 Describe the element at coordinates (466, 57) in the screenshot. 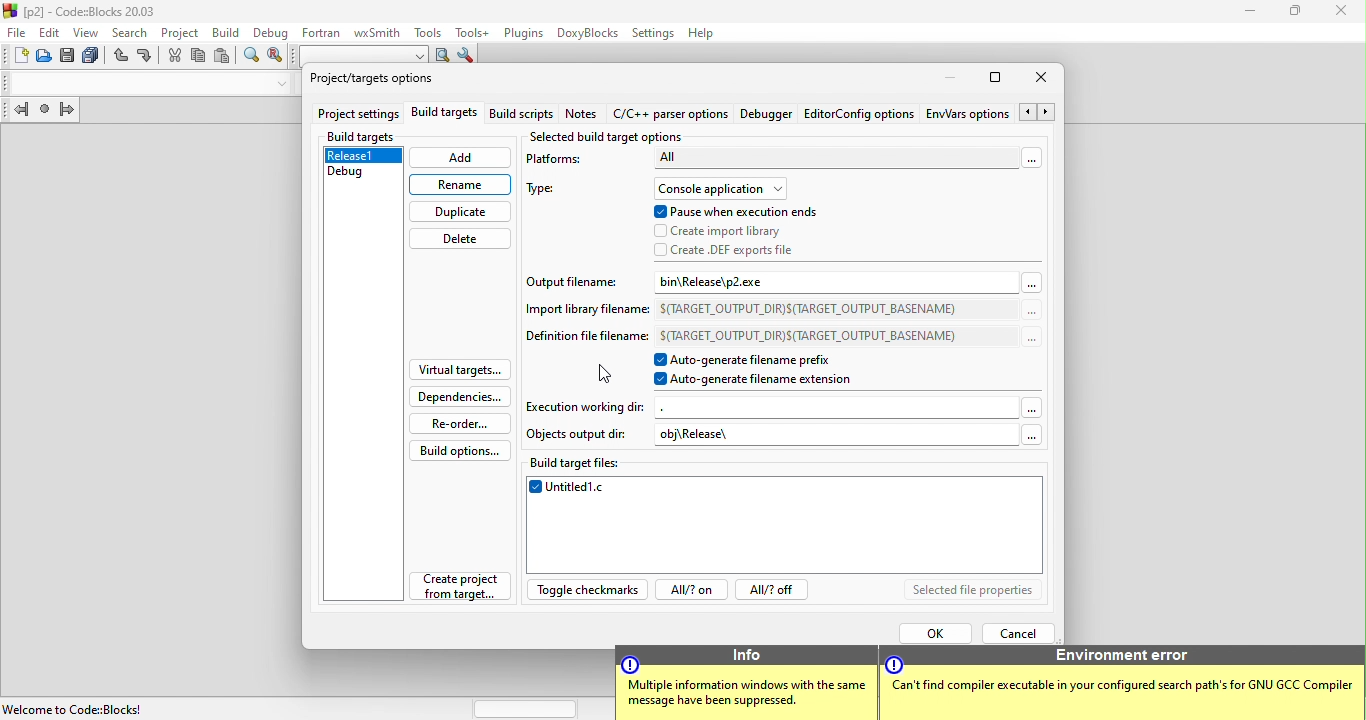

I see `show options window` at that location.